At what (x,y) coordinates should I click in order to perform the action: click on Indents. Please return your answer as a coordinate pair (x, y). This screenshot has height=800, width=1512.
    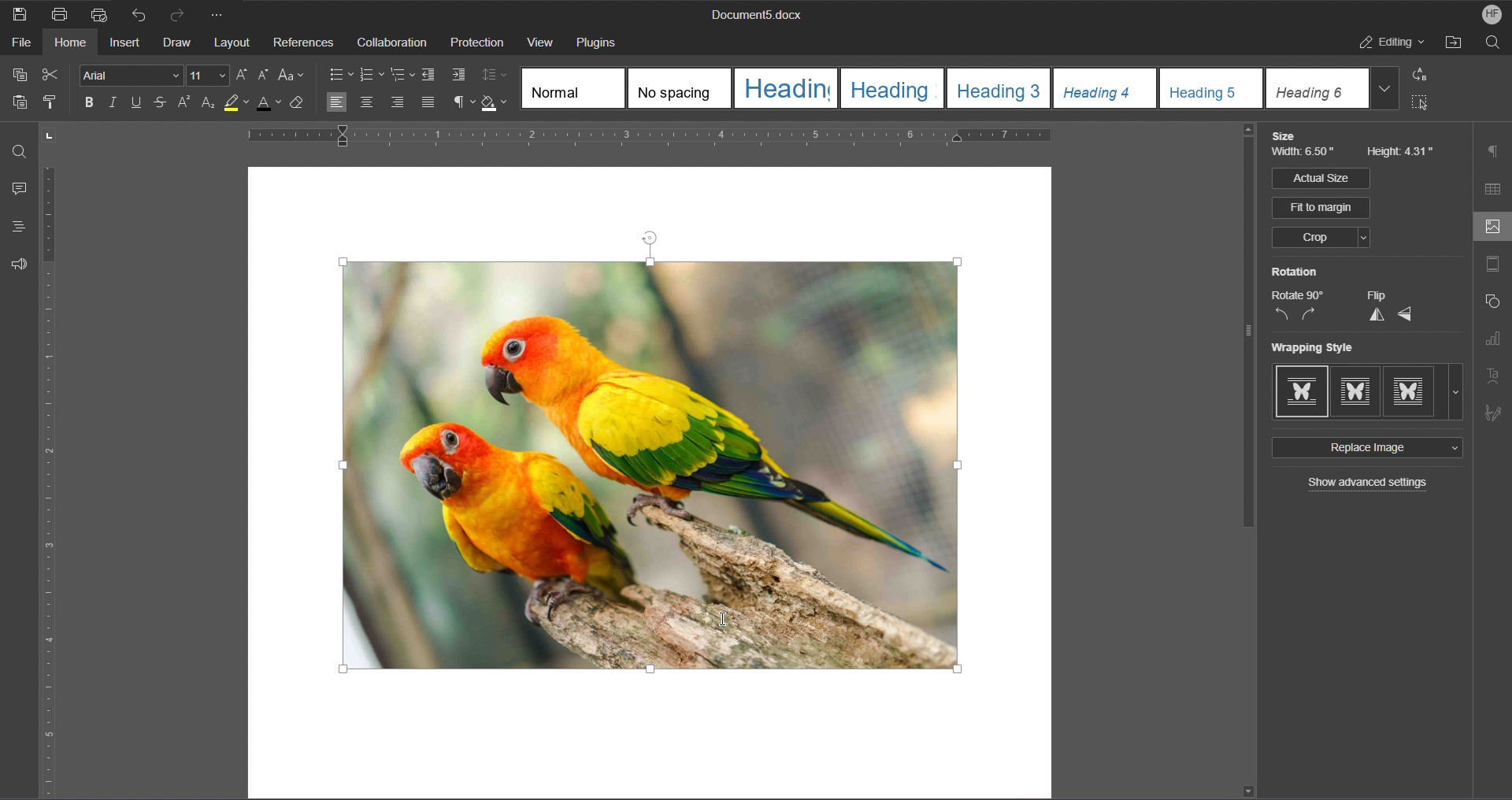
    Looking at the image, I should click on (447, 76).